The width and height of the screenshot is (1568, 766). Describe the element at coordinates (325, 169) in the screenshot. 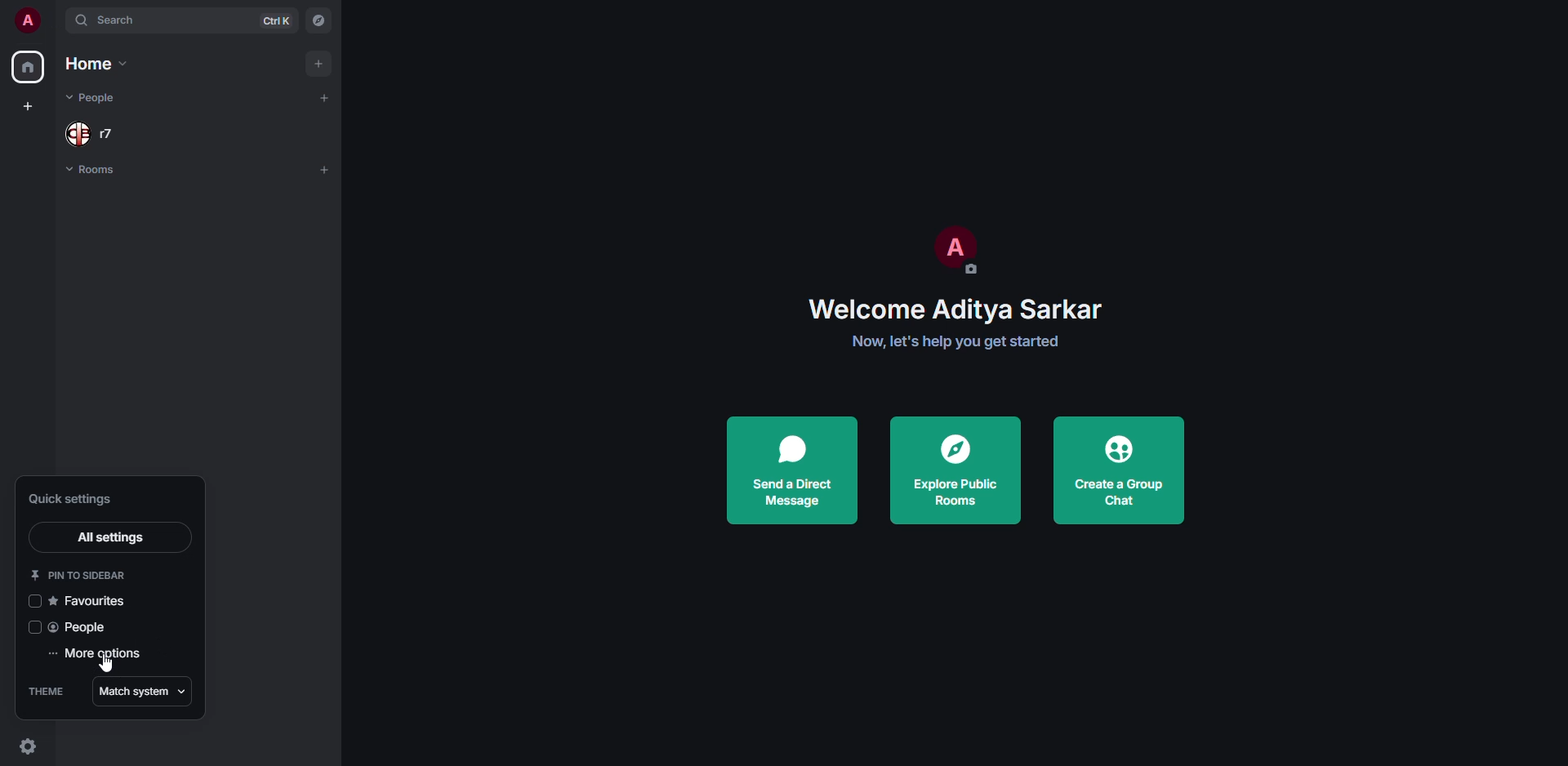

I see `add` at that location.